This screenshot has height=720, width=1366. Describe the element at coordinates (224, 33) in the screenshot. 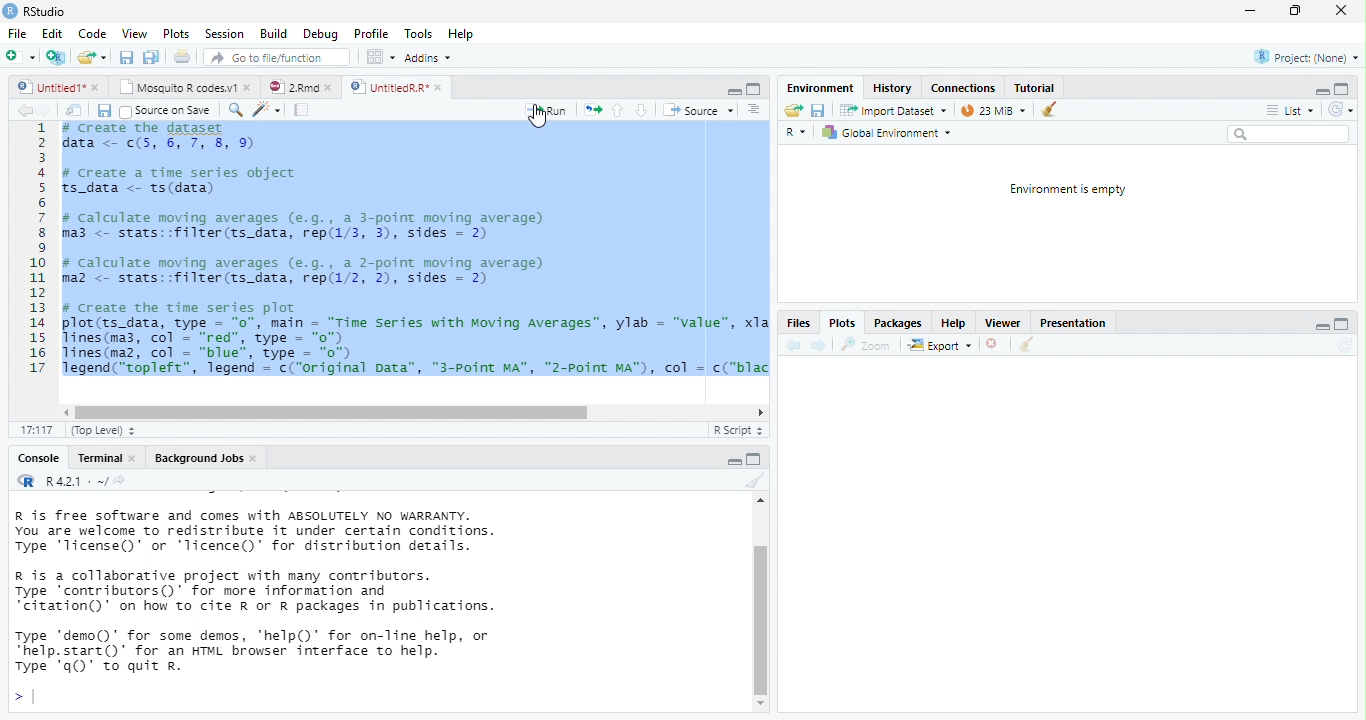

I see `Session` at that location.